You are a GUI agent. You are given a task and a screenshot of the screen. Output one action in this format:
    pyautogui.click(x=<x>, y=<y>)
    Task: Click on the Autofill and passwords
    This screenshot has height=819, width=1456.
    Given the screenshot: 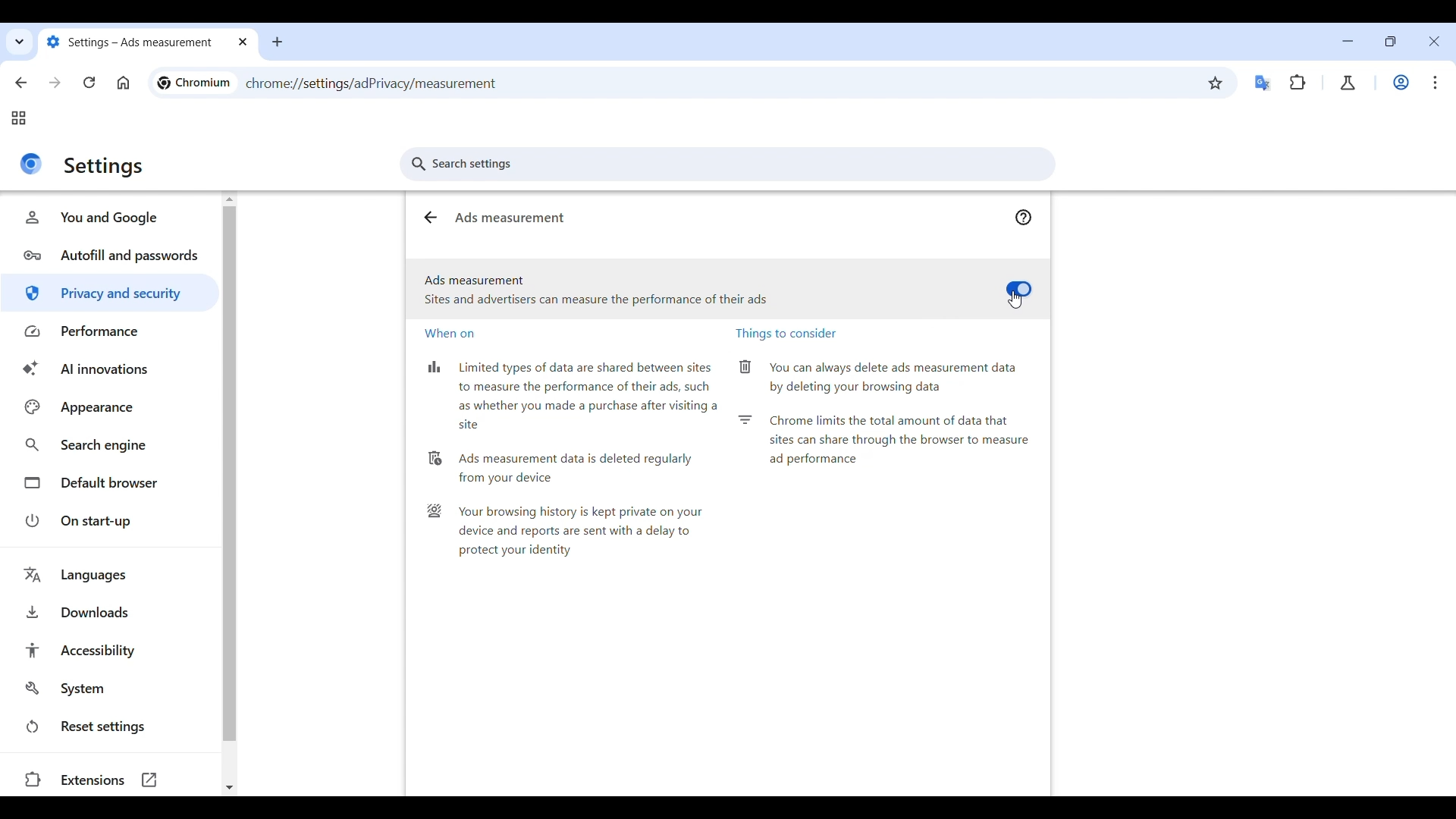 What is the action you would take?
    pyautogui.click(x=111, y=255)
    